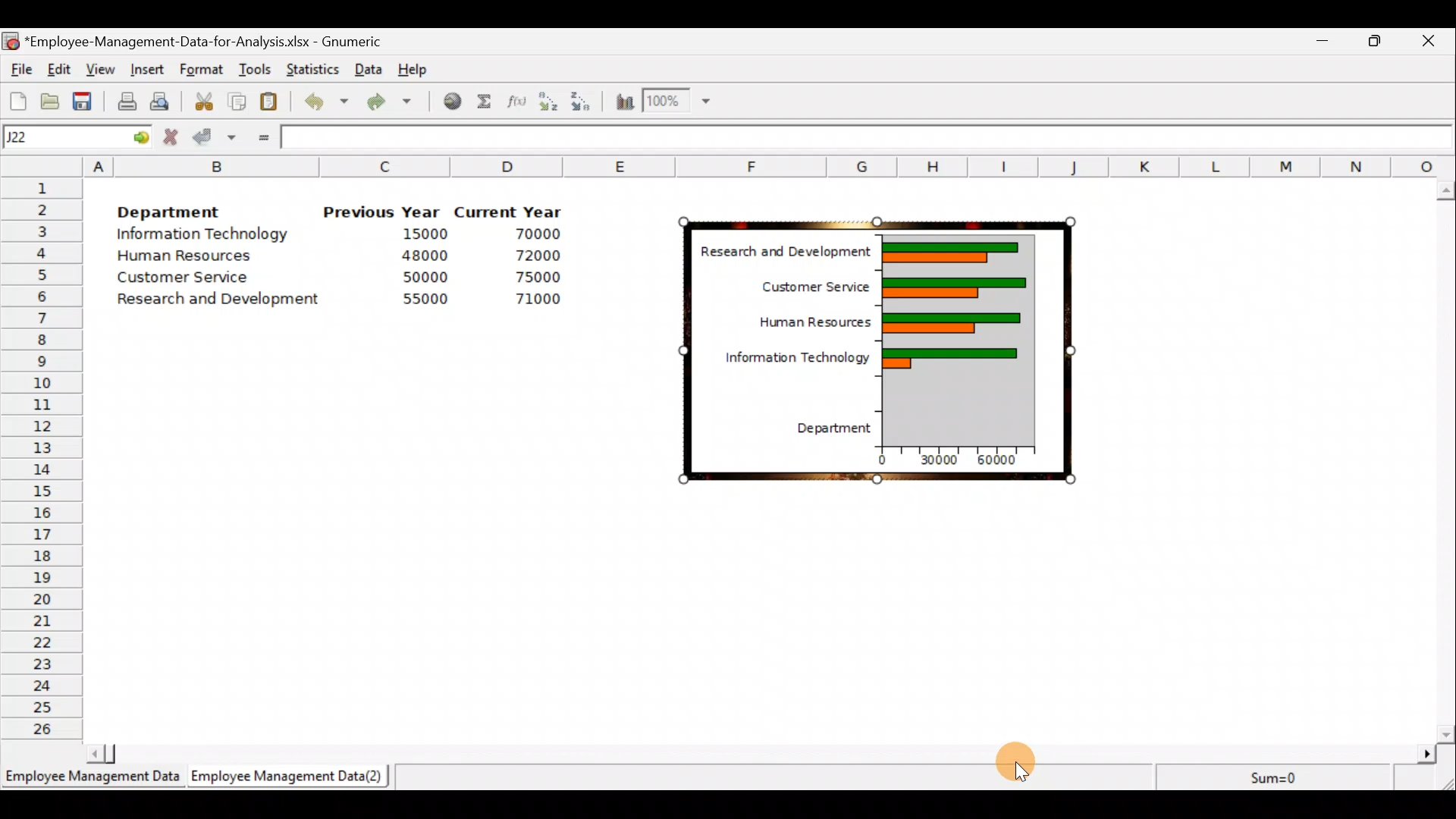 The height and width of the screenshot is (819, 1456). I want to click on 50000, so click(422, 277).